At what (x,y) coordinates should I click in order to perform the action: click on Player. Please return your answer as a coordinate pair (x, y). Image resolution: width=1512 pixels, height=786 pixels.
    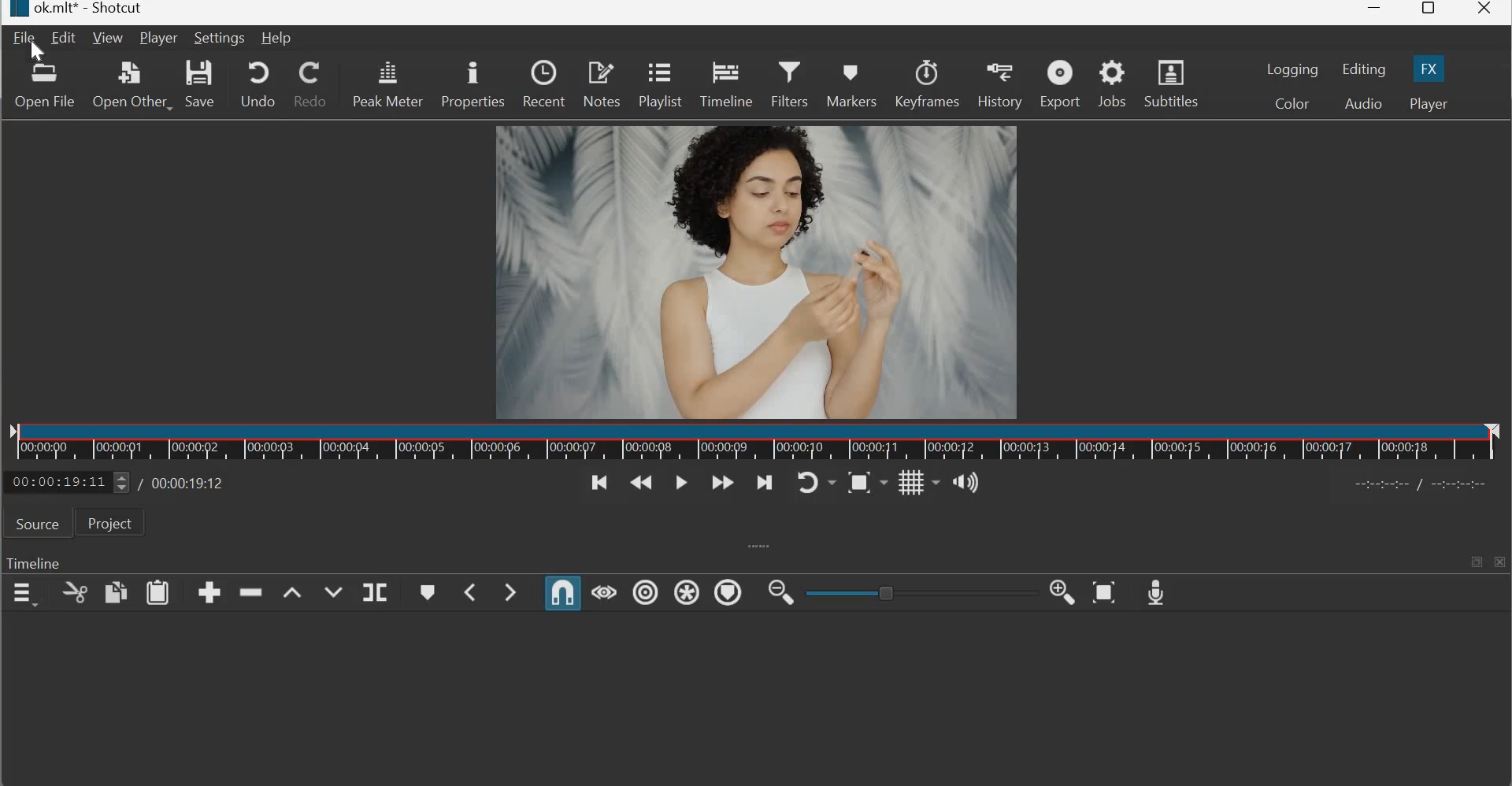
    Looking at the image, I should click on (157, 39).